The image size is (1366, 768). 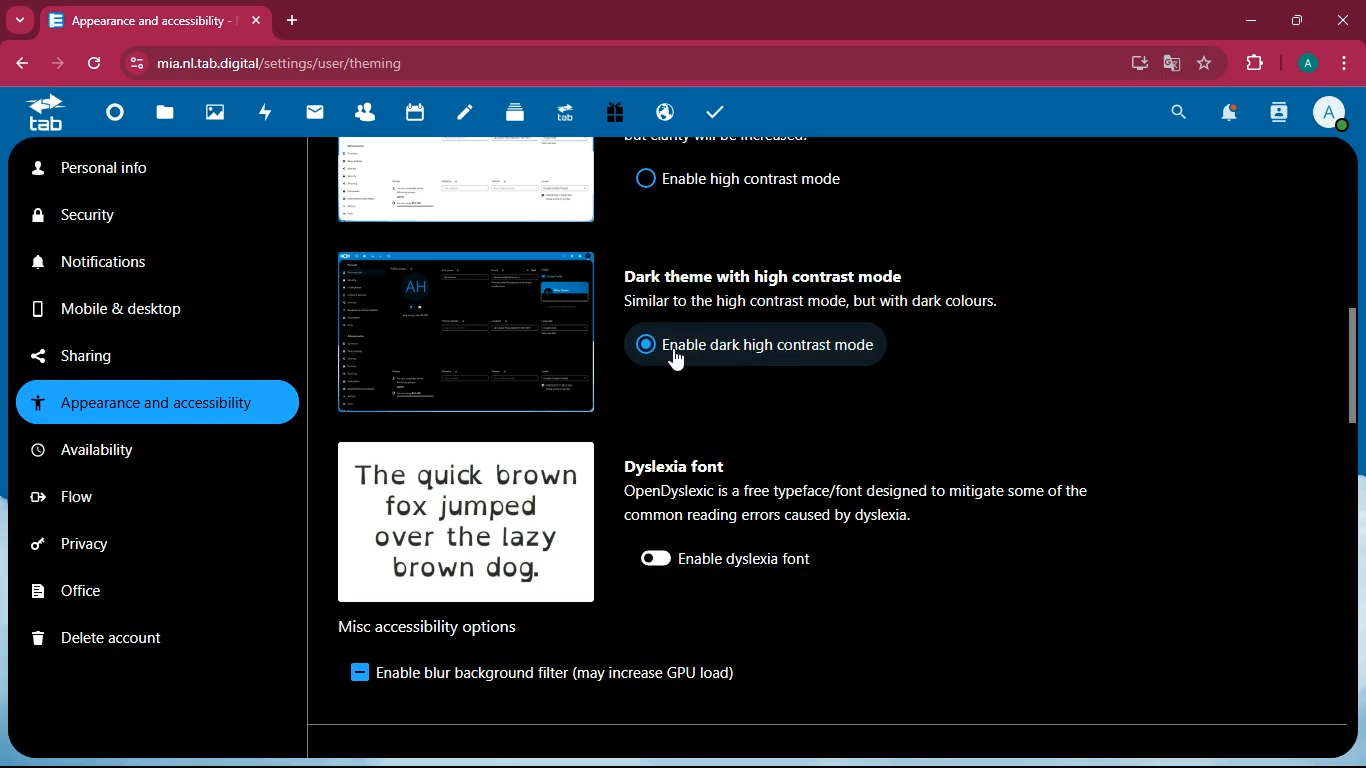 I want to click on view site information, so click(x=133, y=63).